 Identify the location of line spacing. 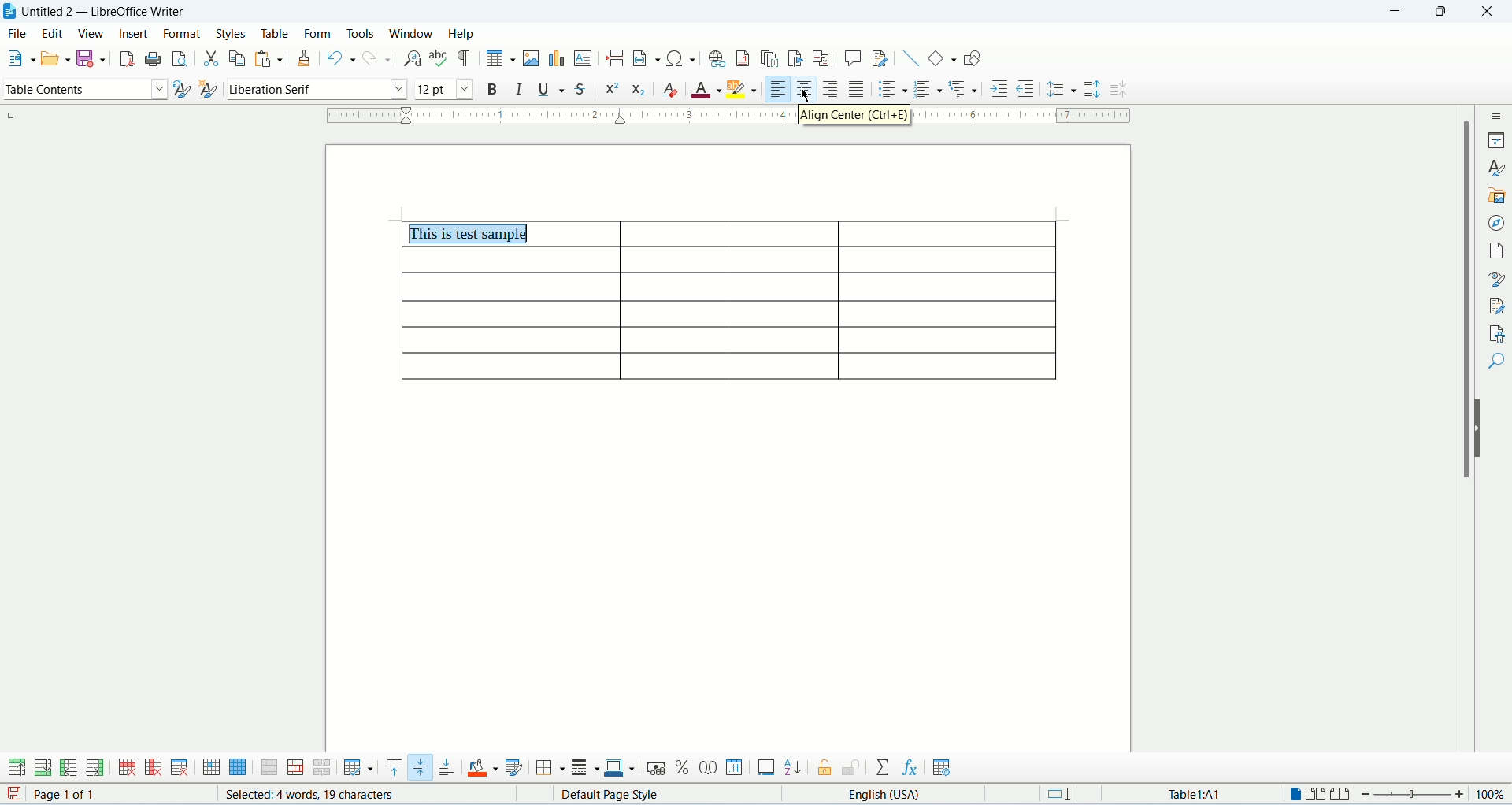
(1062, 89).